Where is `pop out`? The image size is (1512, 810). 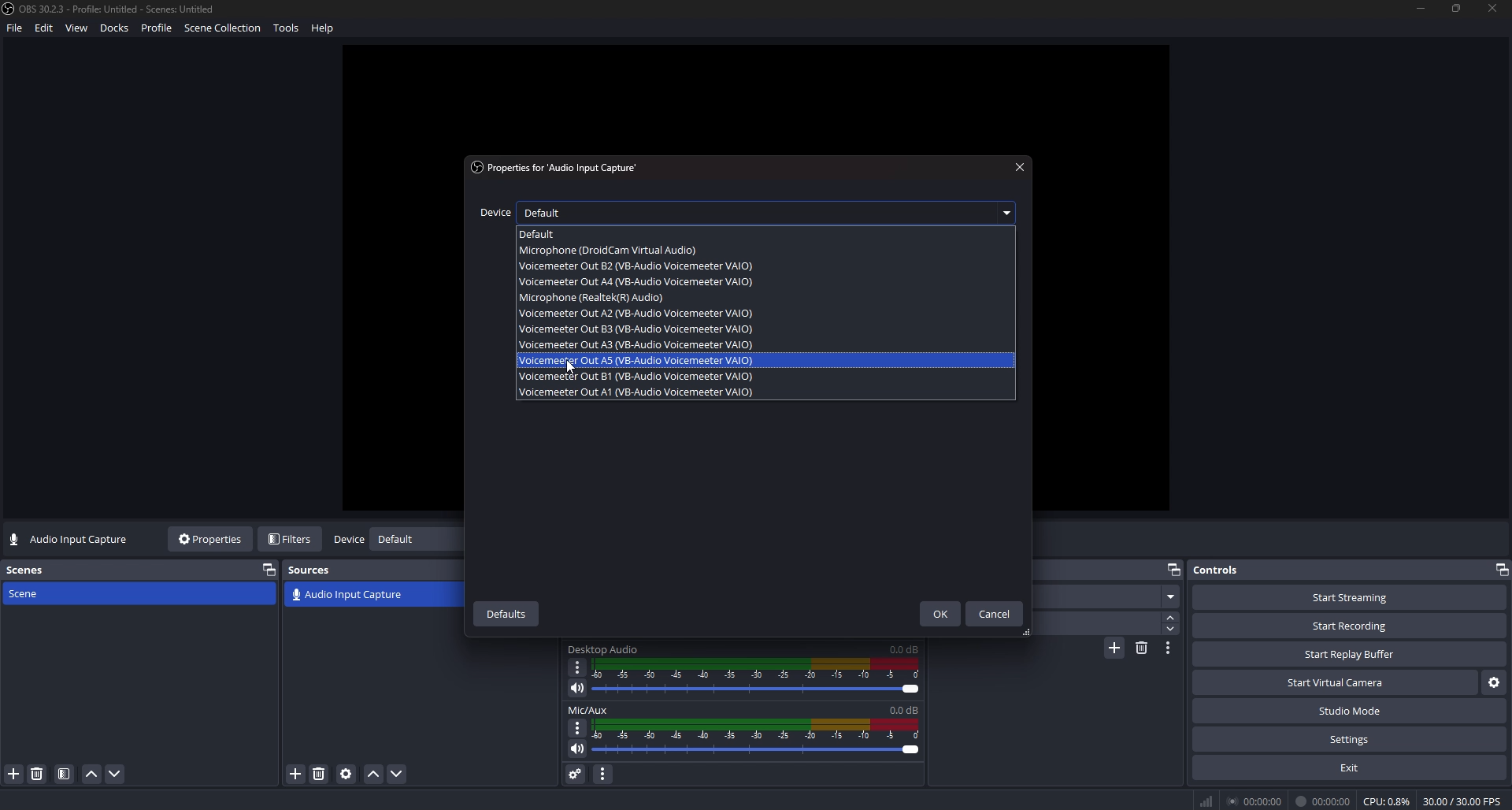
pop out is located at coordinates (269, 569).